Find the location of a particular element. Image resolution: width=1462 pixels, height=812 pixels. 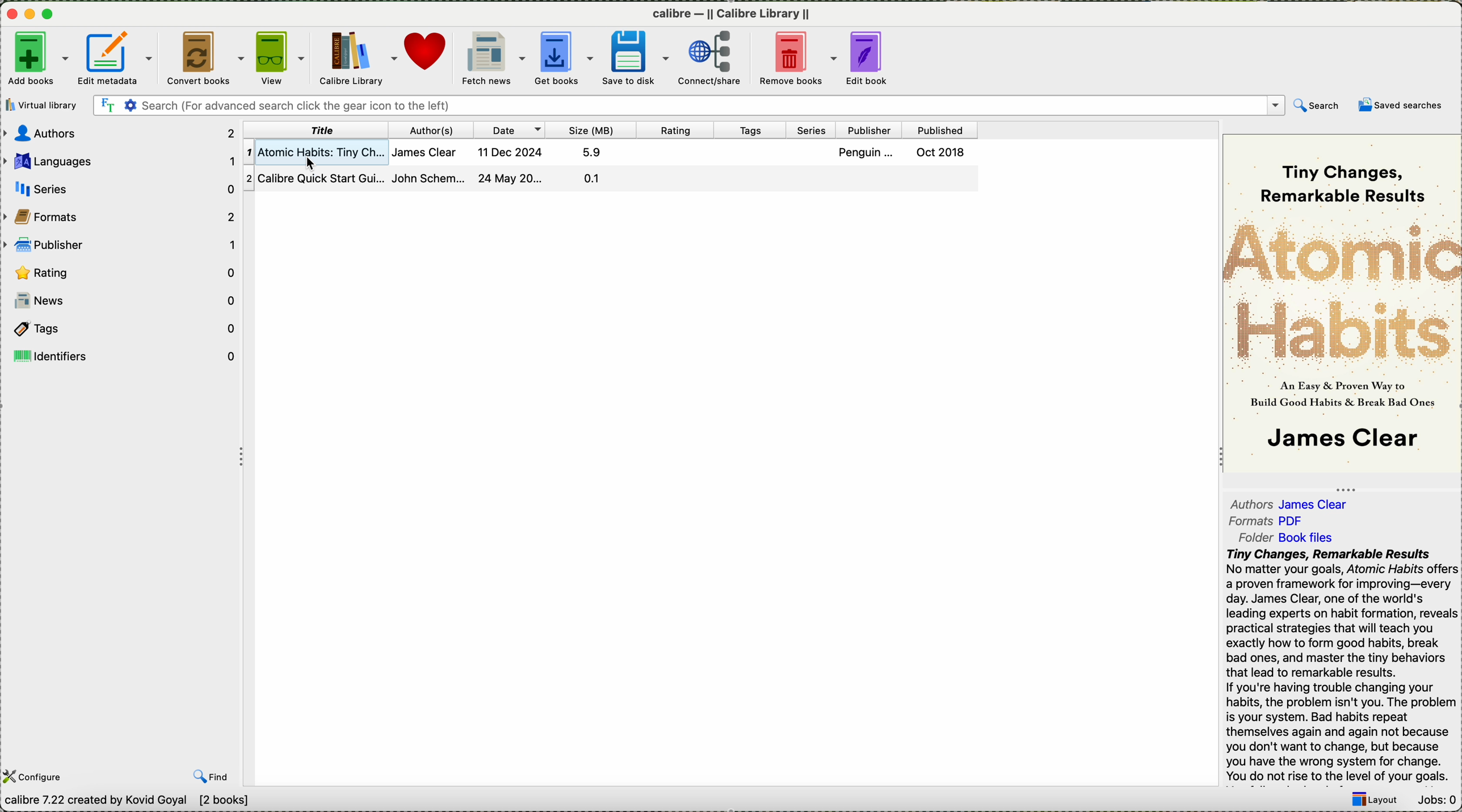

publisher is located at coordinates (121, 243).